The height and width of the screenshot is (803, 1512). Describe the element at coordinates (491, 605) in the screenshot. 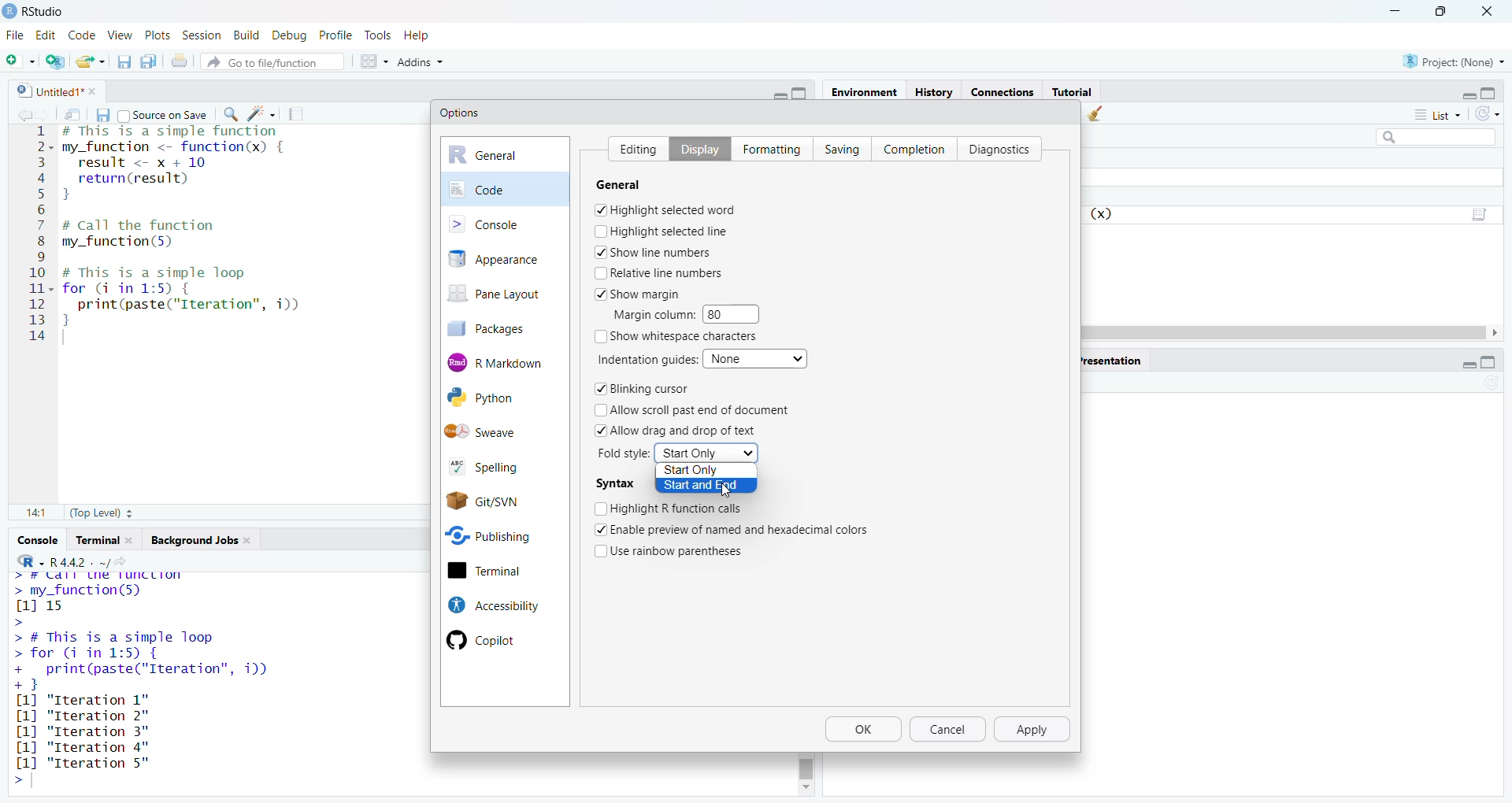

I see `Accessibility` at that location.